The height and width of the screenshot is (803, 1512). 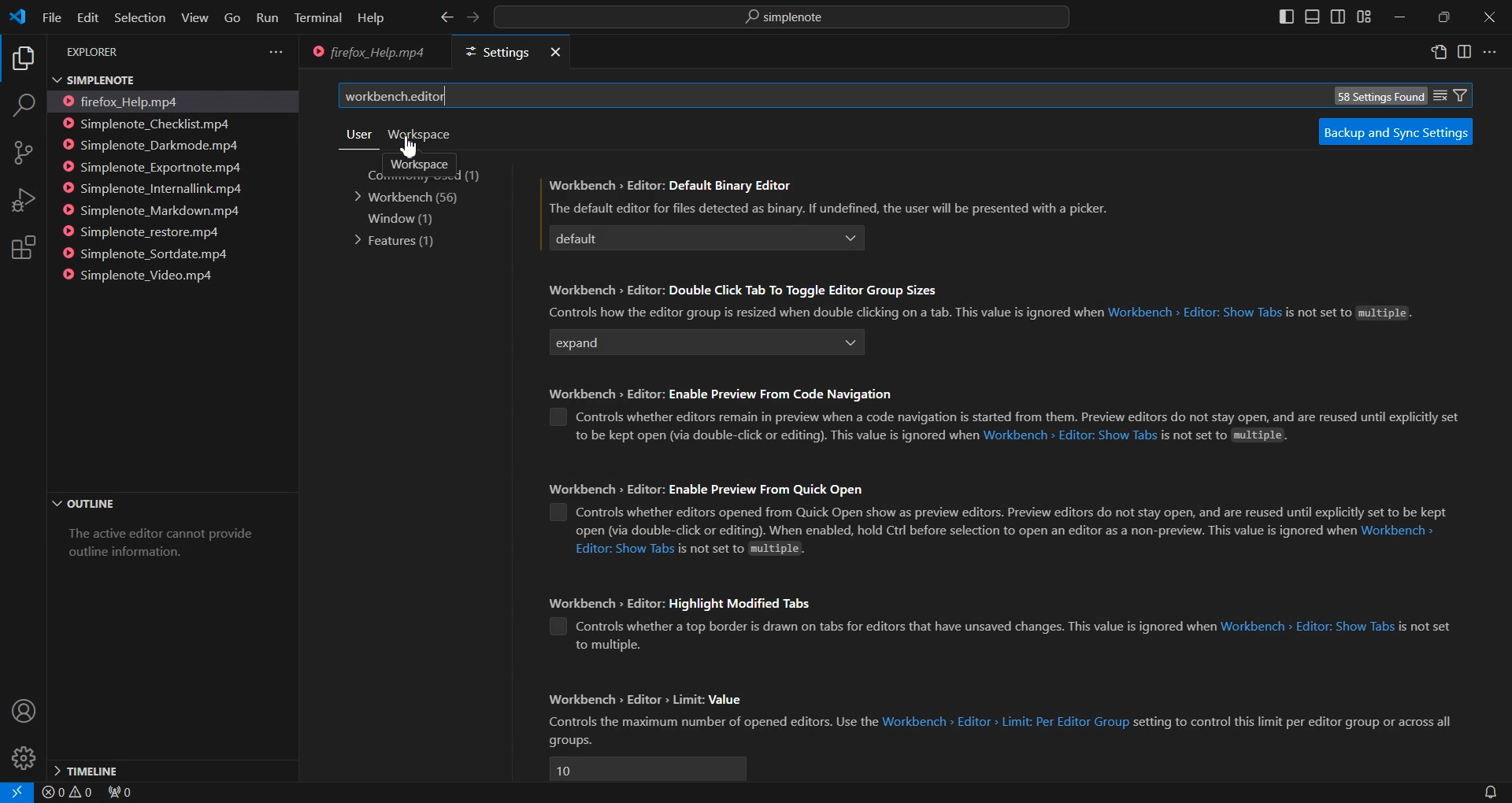 I want to click on open (via double-click or editing). When enabled, hold Ctrl before selection to open an editor as a non-preview. This value is ignored when, so click(x=963, y=531).